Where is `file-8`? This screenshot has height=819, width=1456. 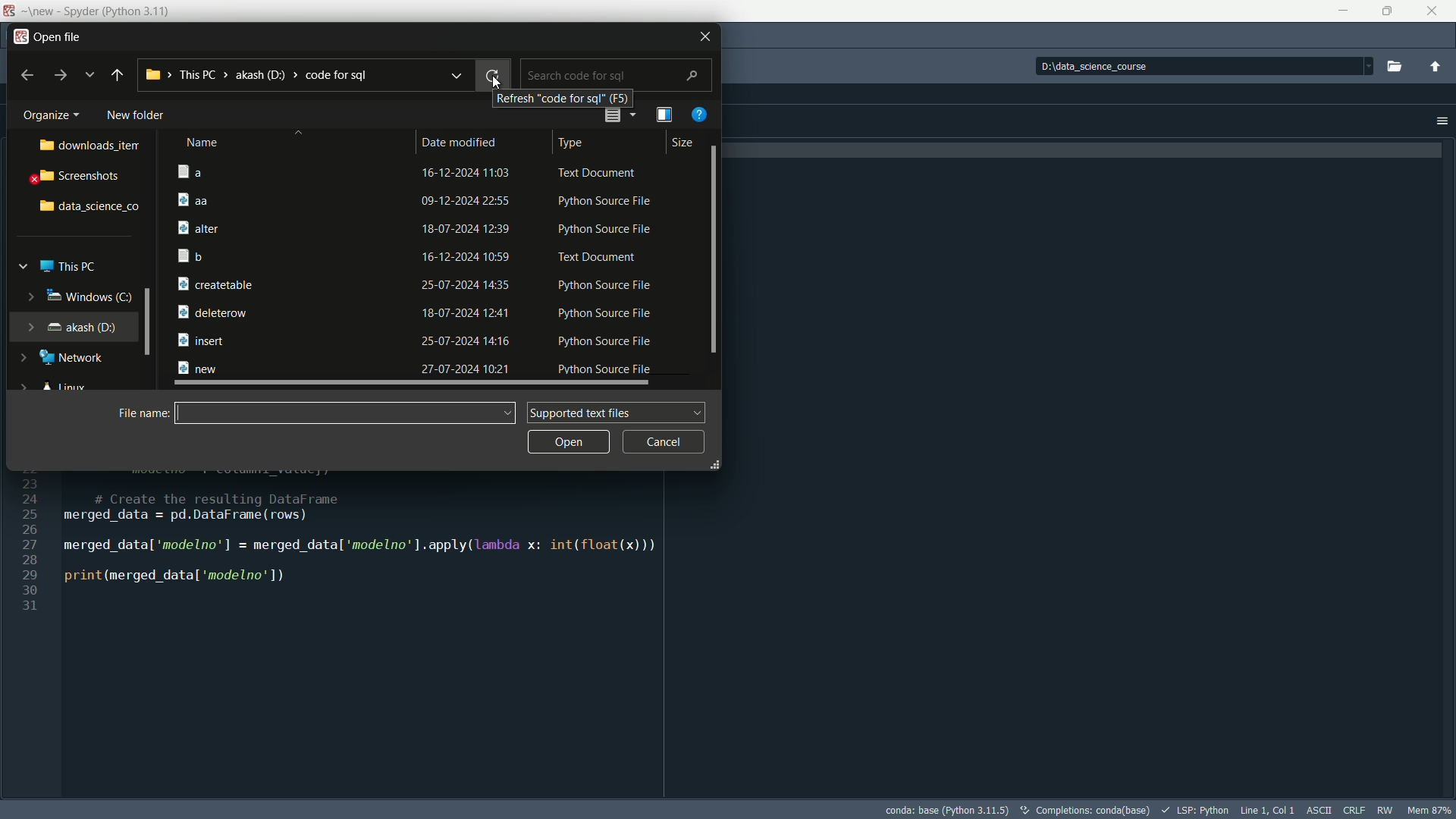 file-8 is located at coordinates (416, 371).